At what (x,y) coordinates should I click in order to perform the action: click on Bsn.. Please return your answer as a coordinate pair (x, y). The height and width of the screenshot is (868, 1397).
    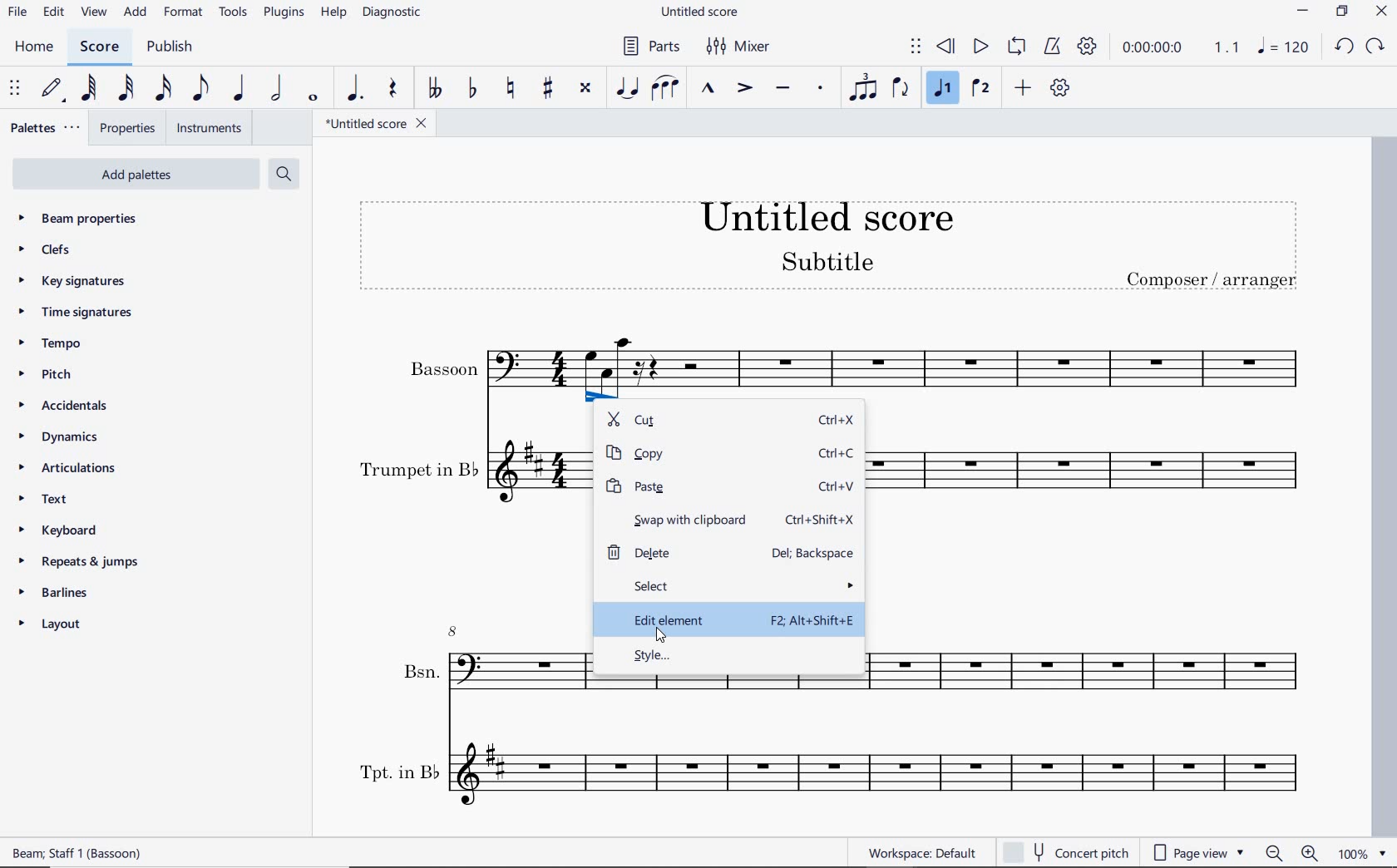
    Looking at the image, I should click on (1098, 668).